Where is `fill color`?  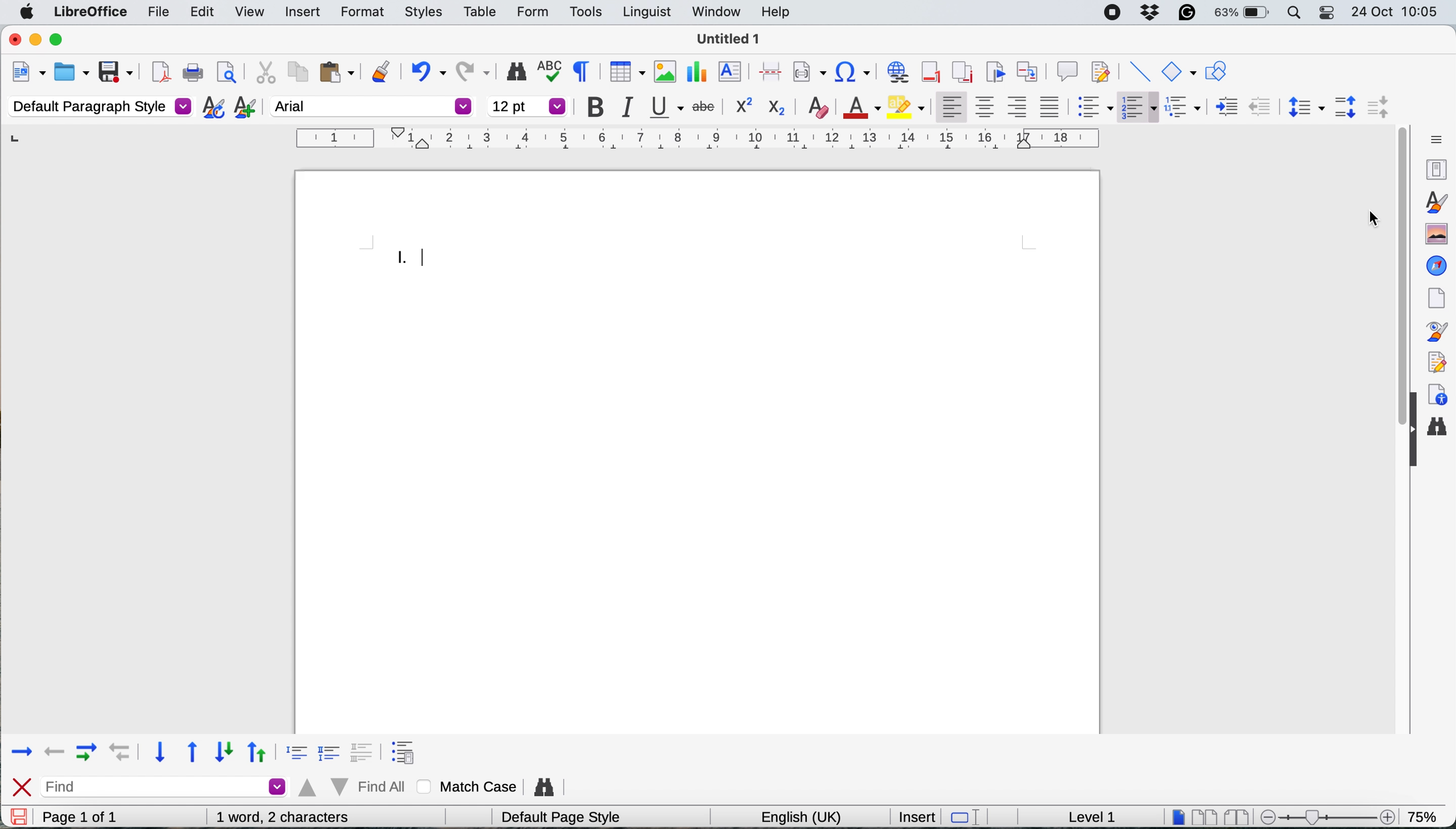
fill color is located at coordinates (906, 106).